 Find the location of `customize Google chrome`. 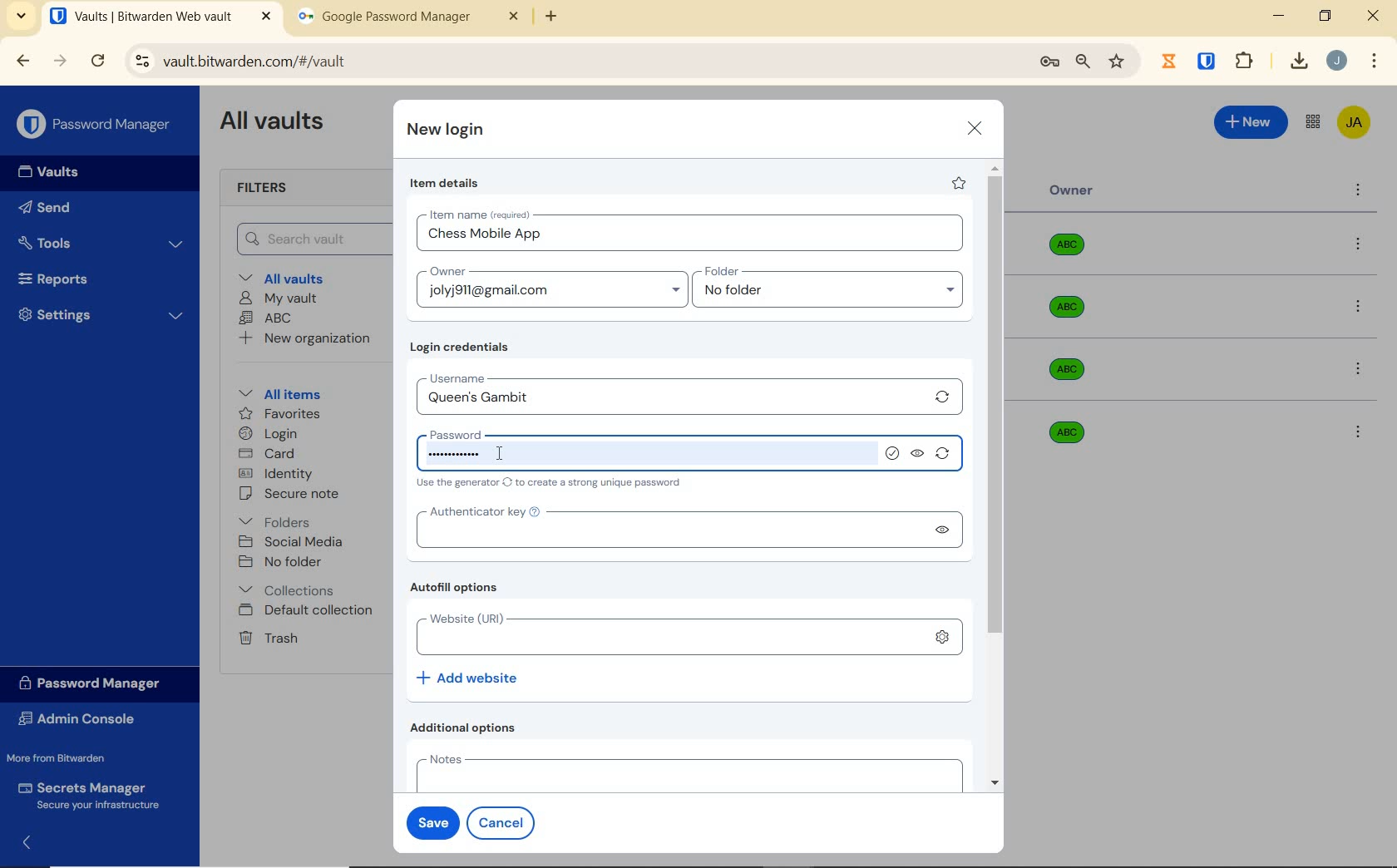

customize Google chrome is located at coordinates (1375, 62).